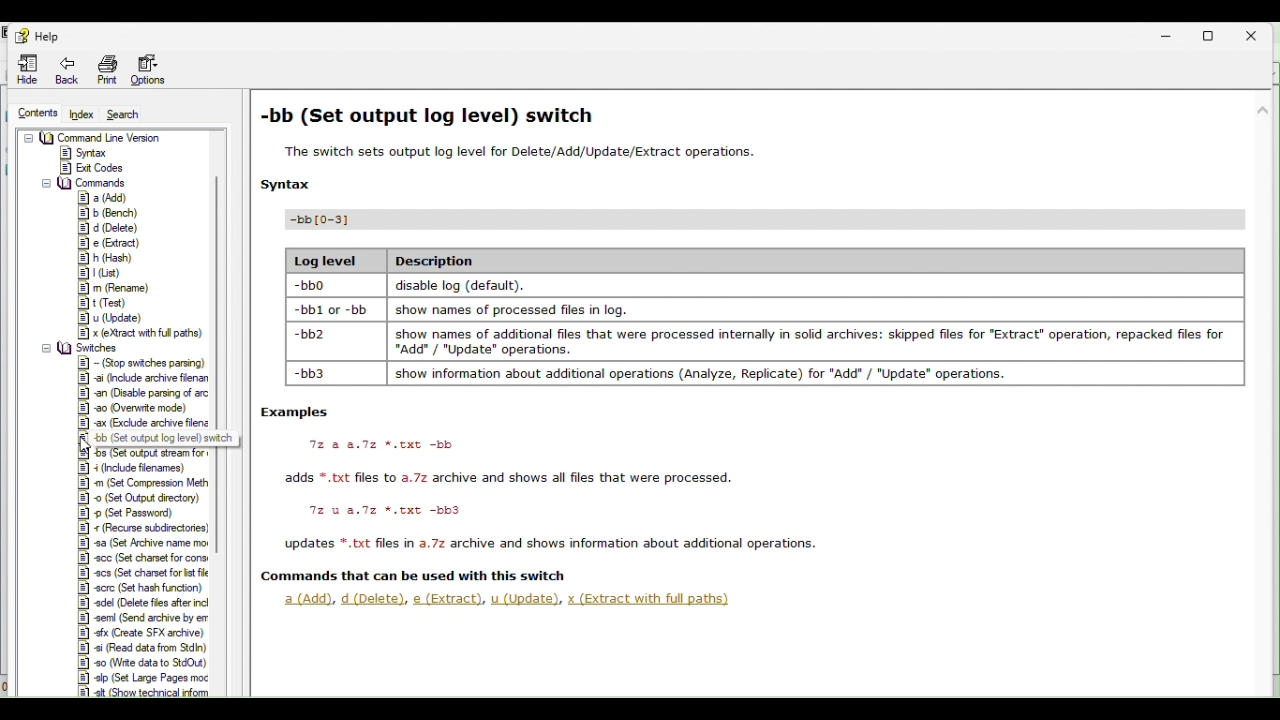  What do you see at coordinates (145, 362) in the screenshot?
I see `§] - (Stop switches parsing)` at bounding box center [145, 362].